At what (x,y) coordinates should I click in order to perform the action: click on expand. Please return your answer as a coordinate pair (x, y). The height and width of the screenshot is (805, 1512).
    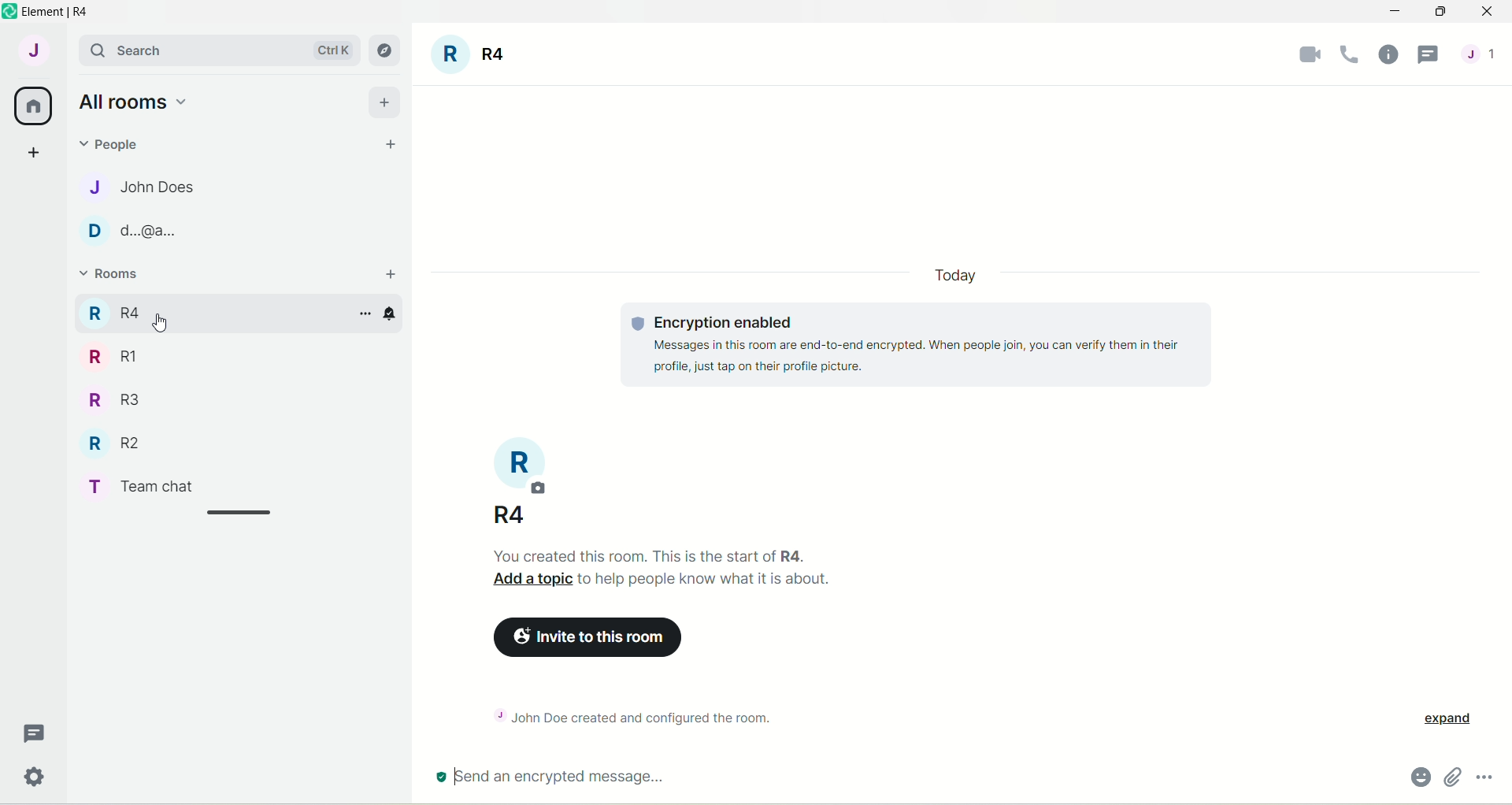
    Looking at the image, I should click on (1454, 719).